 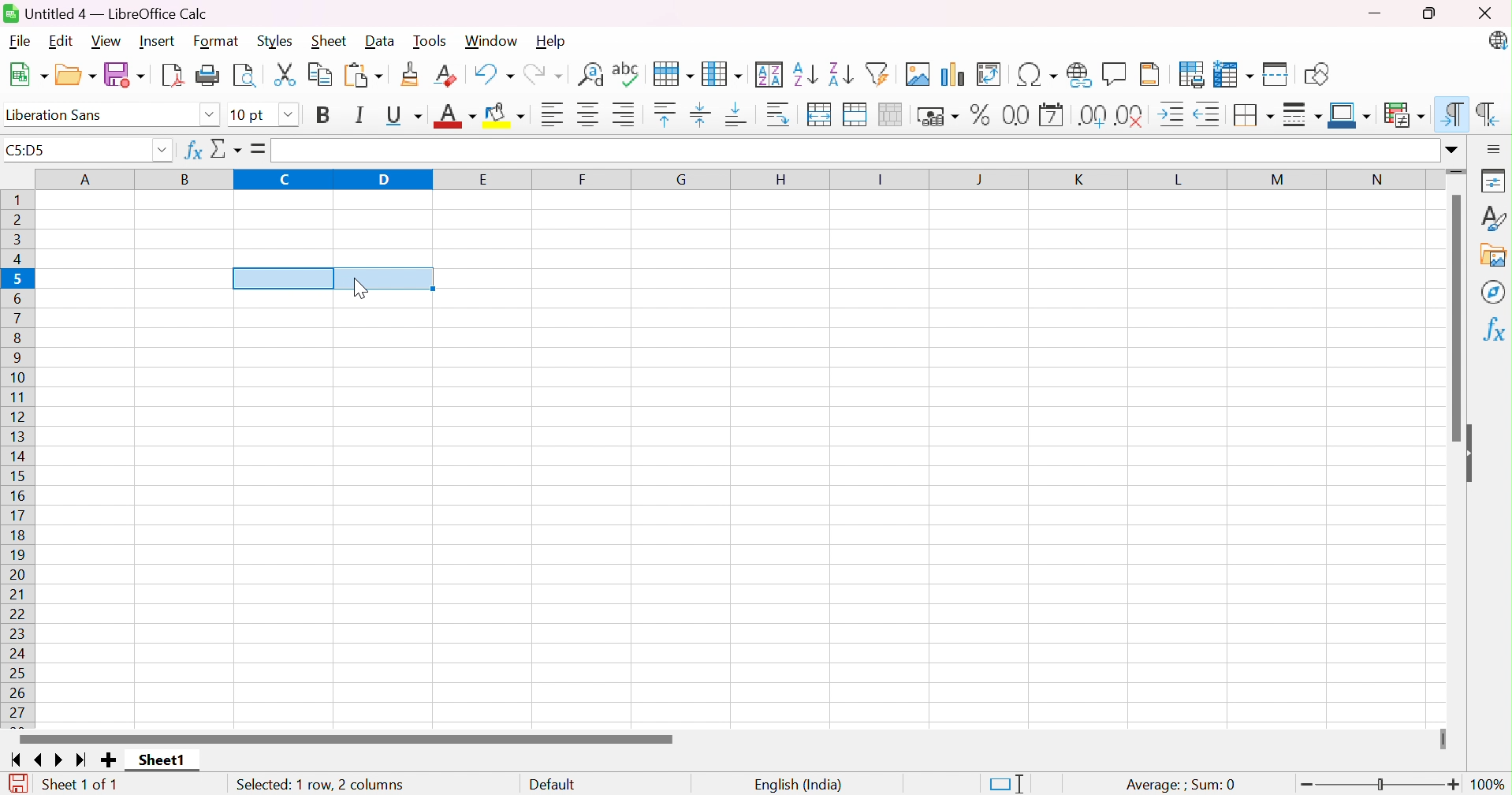 What do you see at coordinates (321, 75) in the screenshot?
I see `Copy` at bounding box center [321, 75].